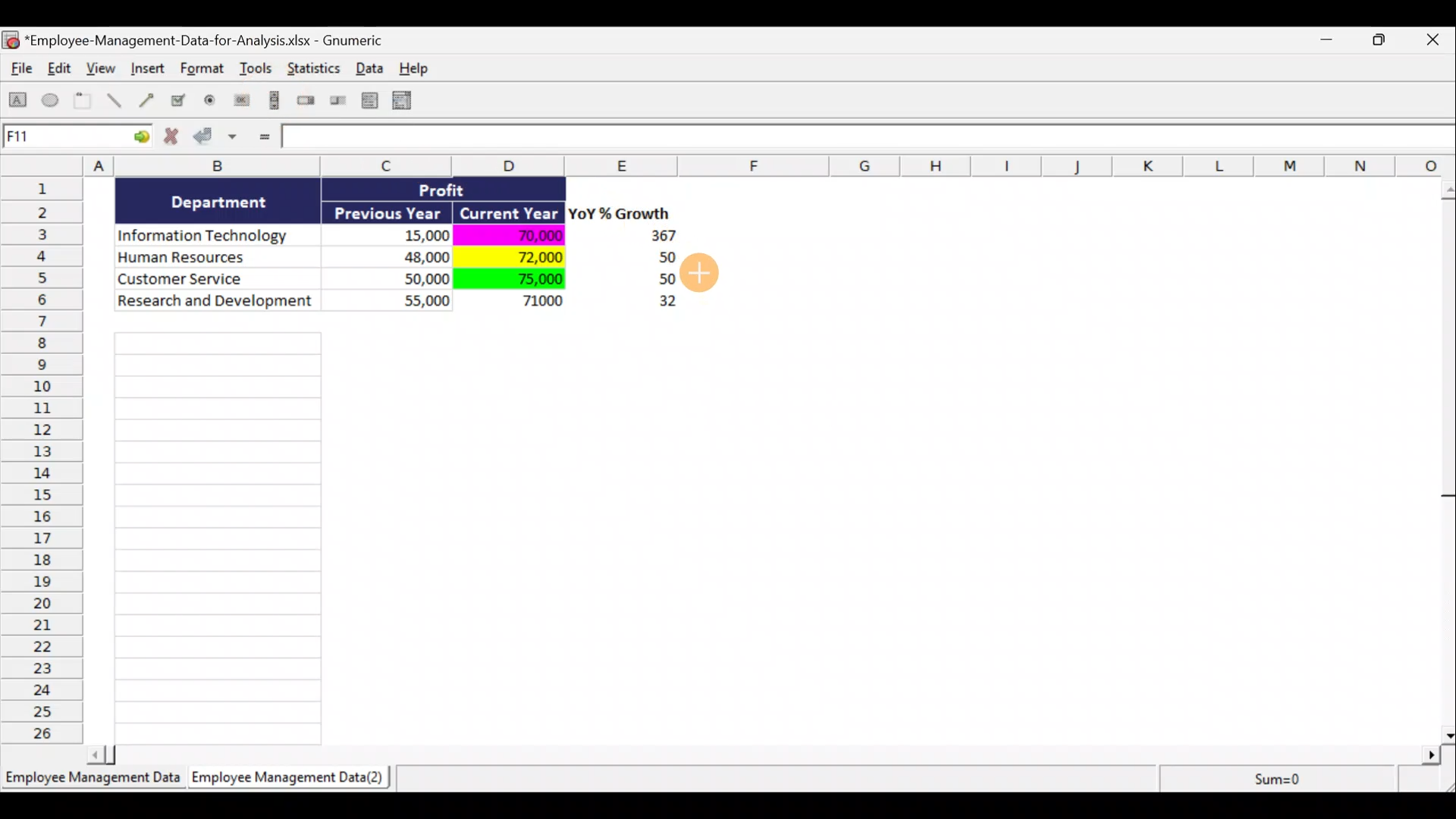 This screenshot has height=819, width=1456. What do you see at coordinates (1446, 458) in the screenshot?
I see `Scroll bar` at bounding box center [1446, 458].